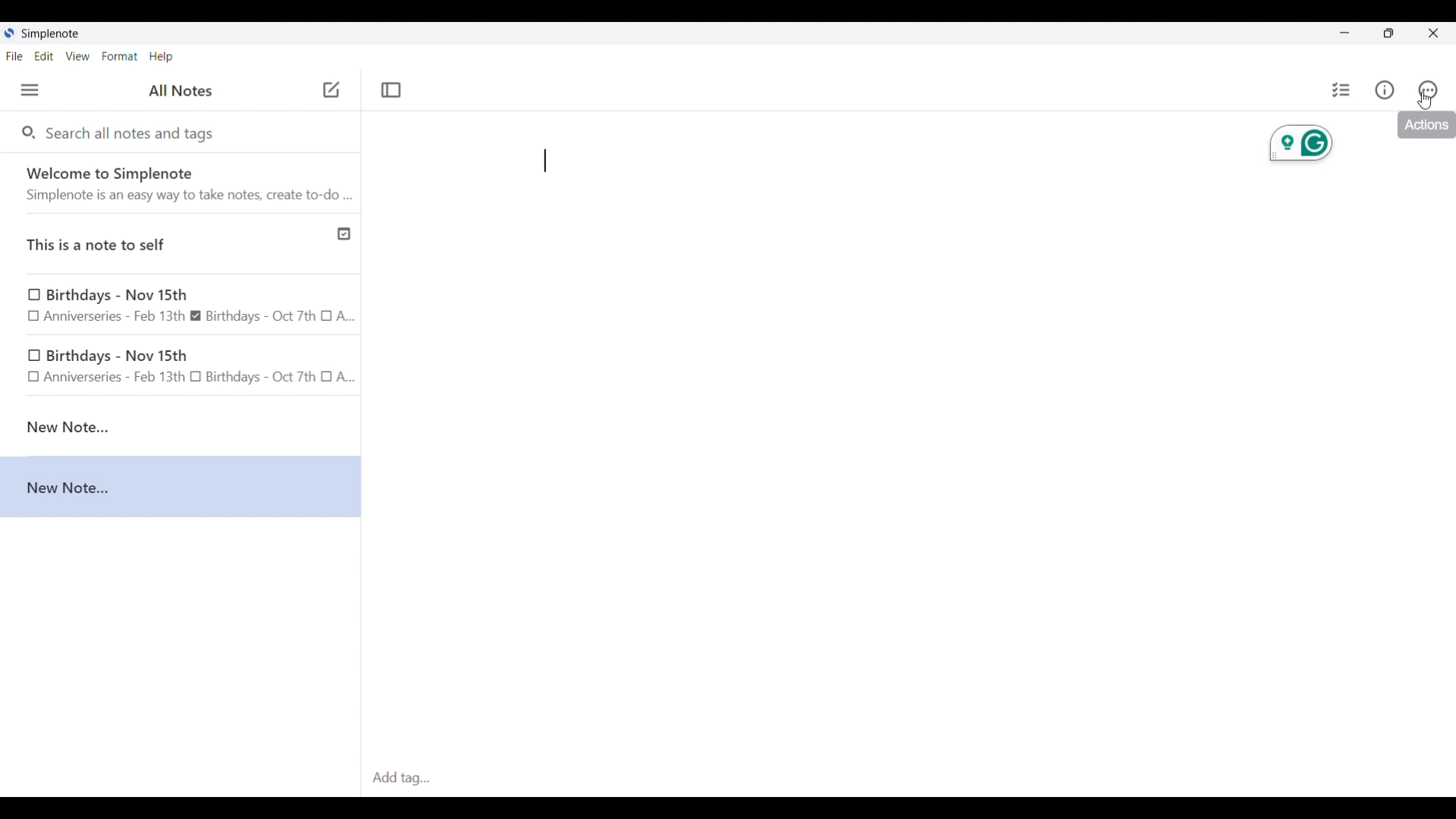 Image resolution: width=1456 pixels, height=819 pixels. Describe the element at coordinates (1301, 143) in the screenshot. I see `Grammarly extension activated` at that location.